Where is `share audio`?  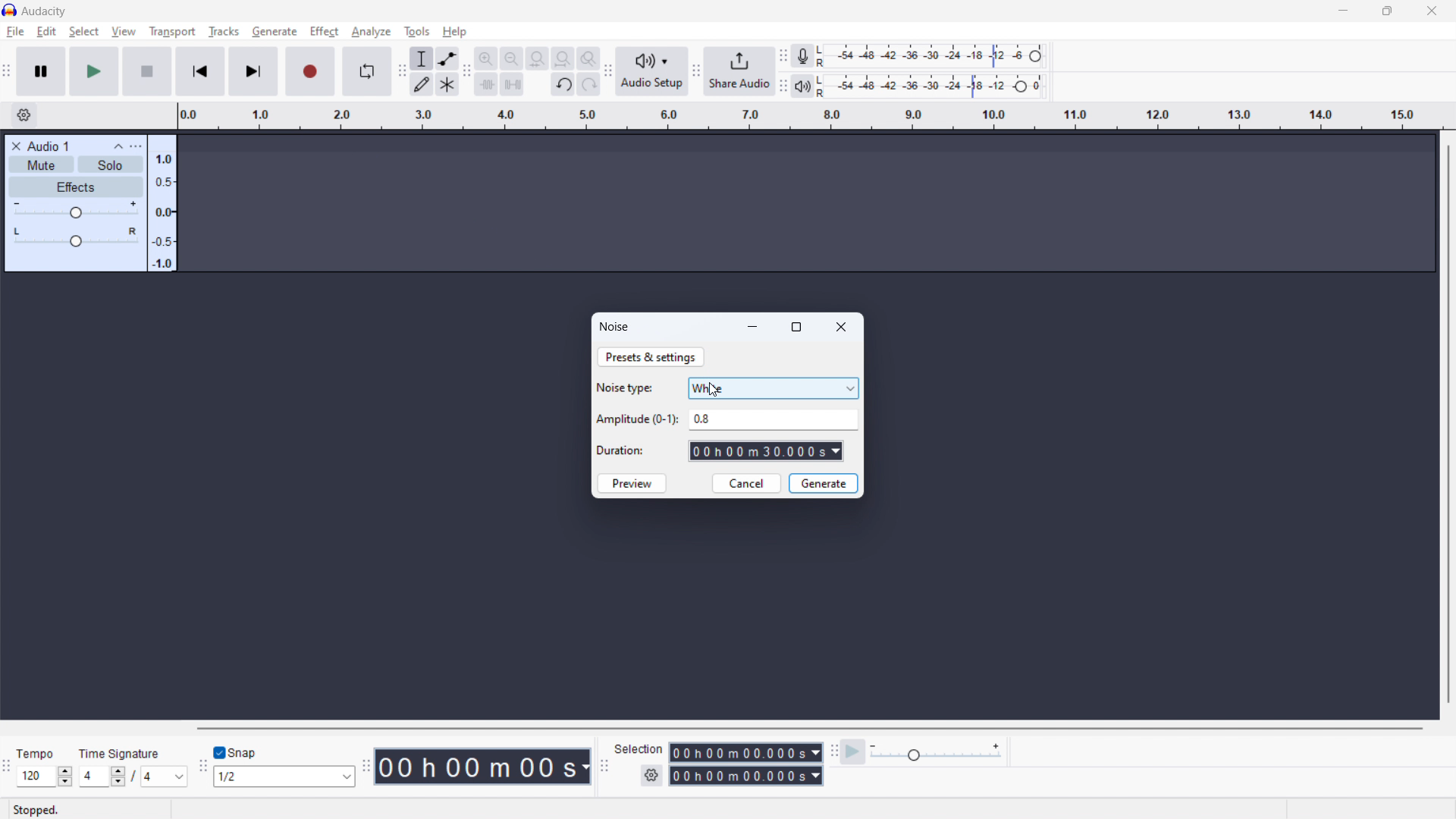
share audio is located at coordinates (739, 71).